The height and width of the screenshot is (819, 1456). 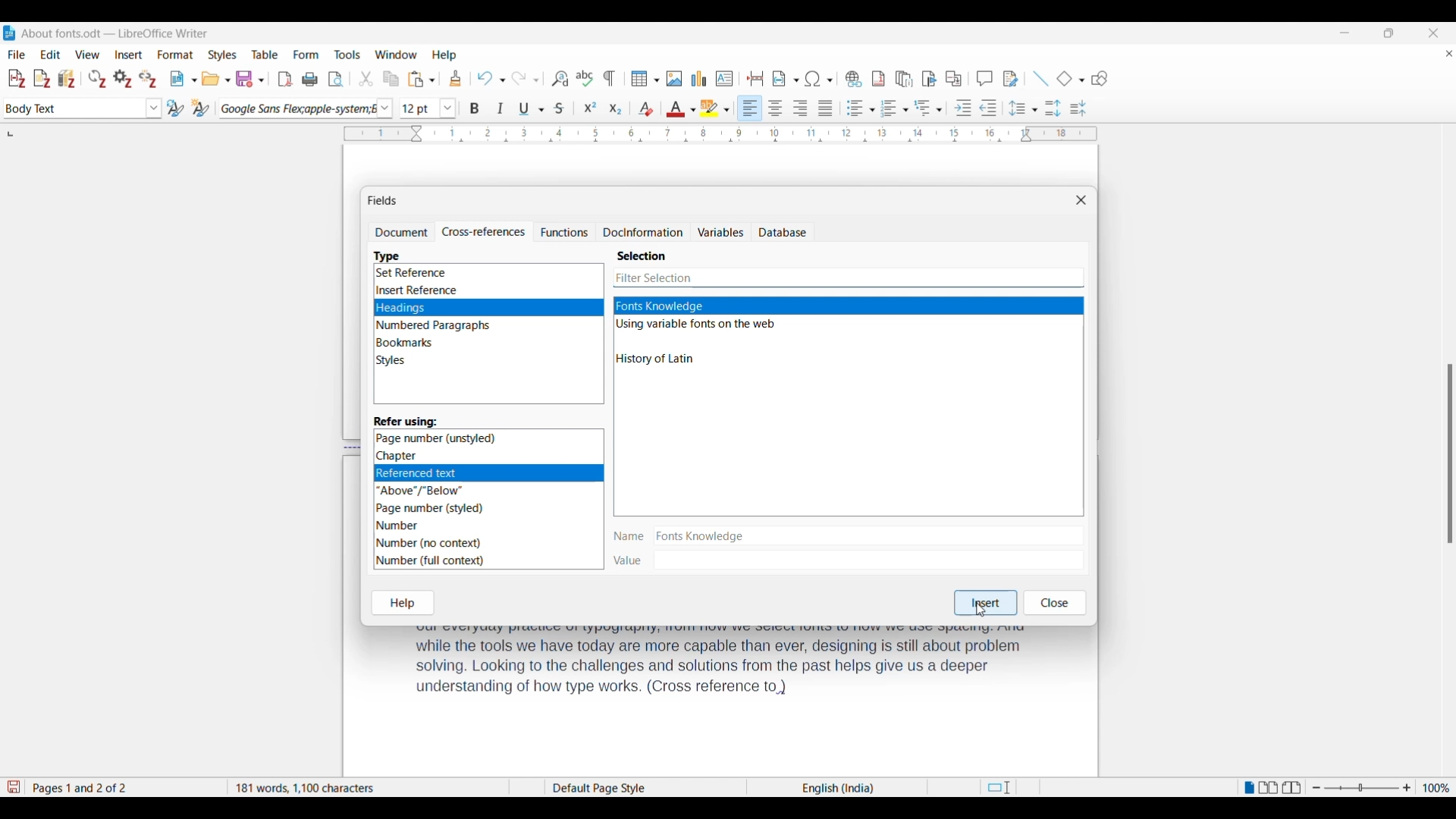 I want to click on Current basic shape and other basic shape options, so click(x=1070, y=78).